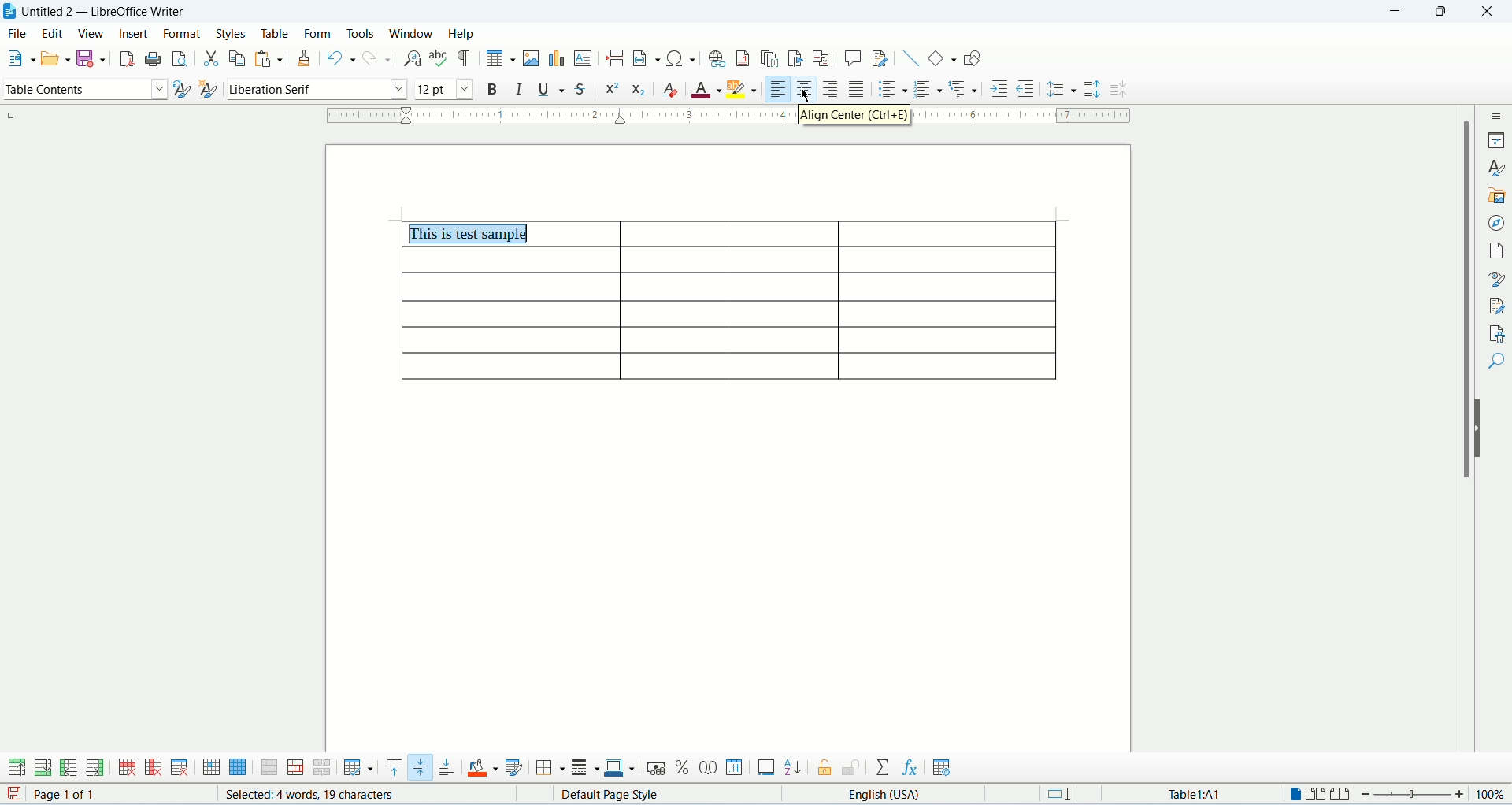 This screenshot has height=805, width=1512. What do you see at coordinates (238, 770) in the screenshot?
I see `select table` at bounding box center [238, 770].